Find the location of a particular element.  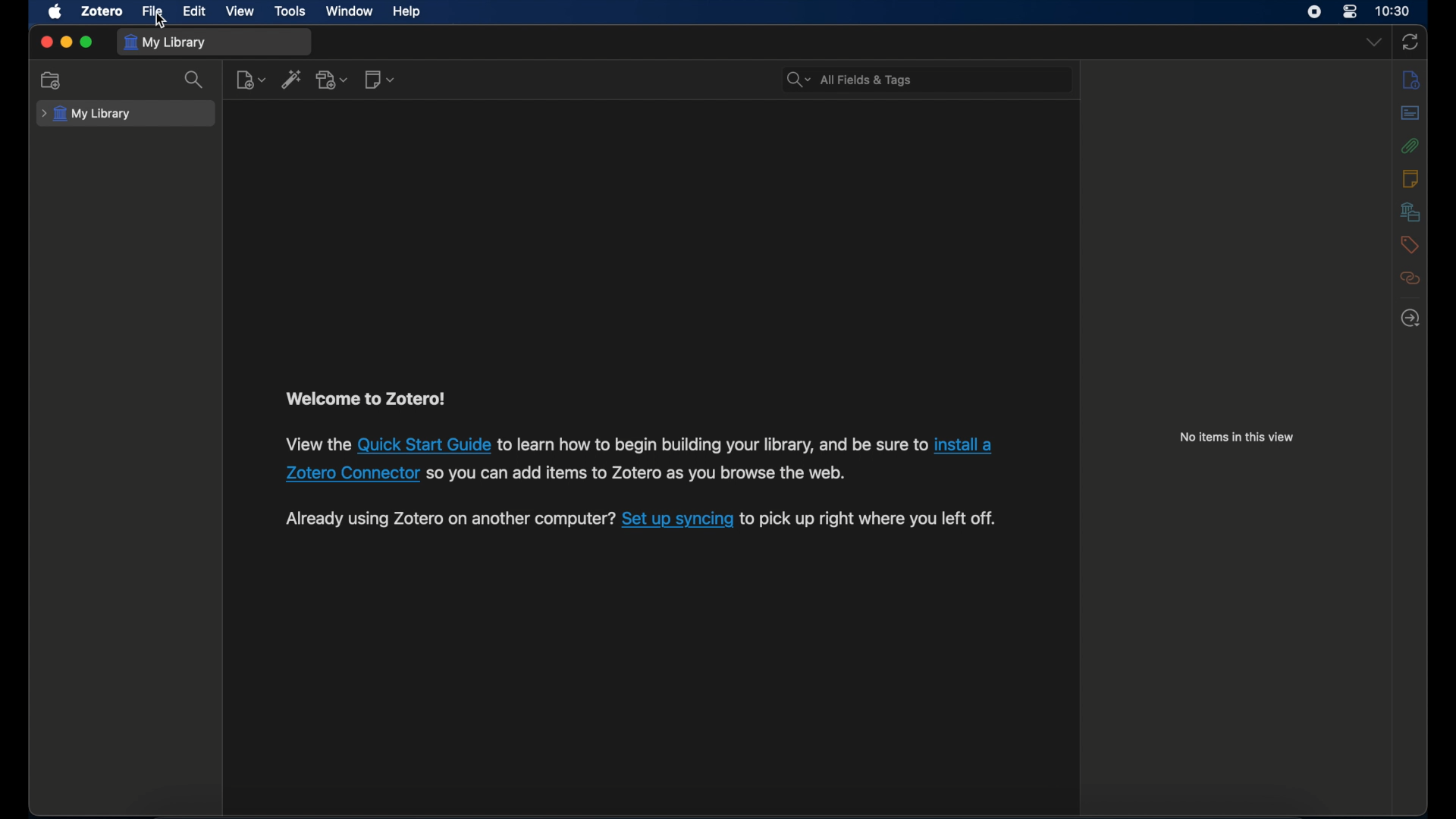

libraries is located at coordinates (1411, 212).